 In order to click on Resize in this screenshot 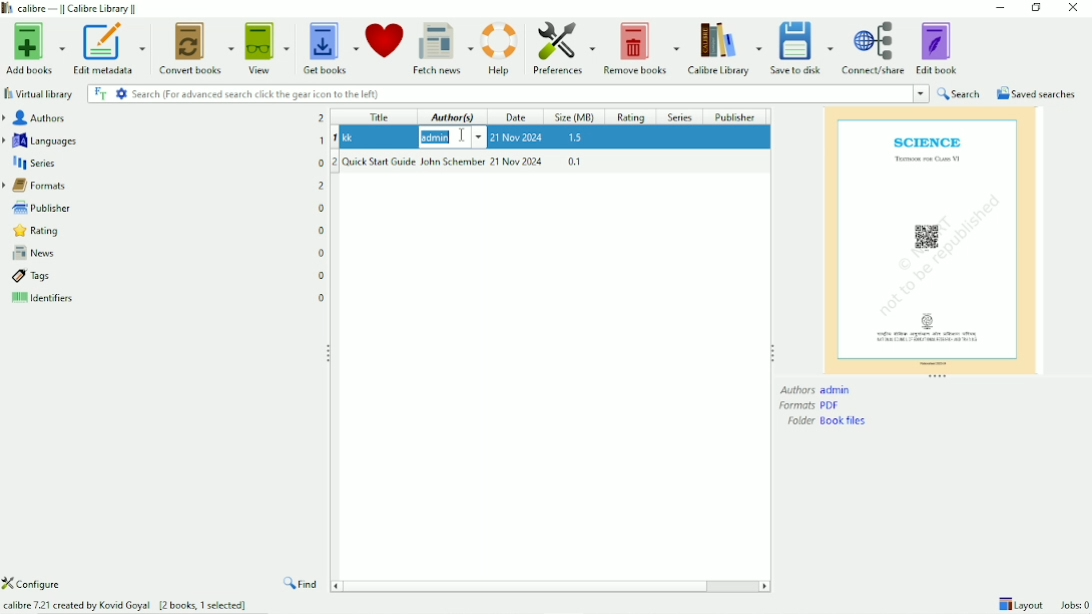, I will do `click(937, 377)`.